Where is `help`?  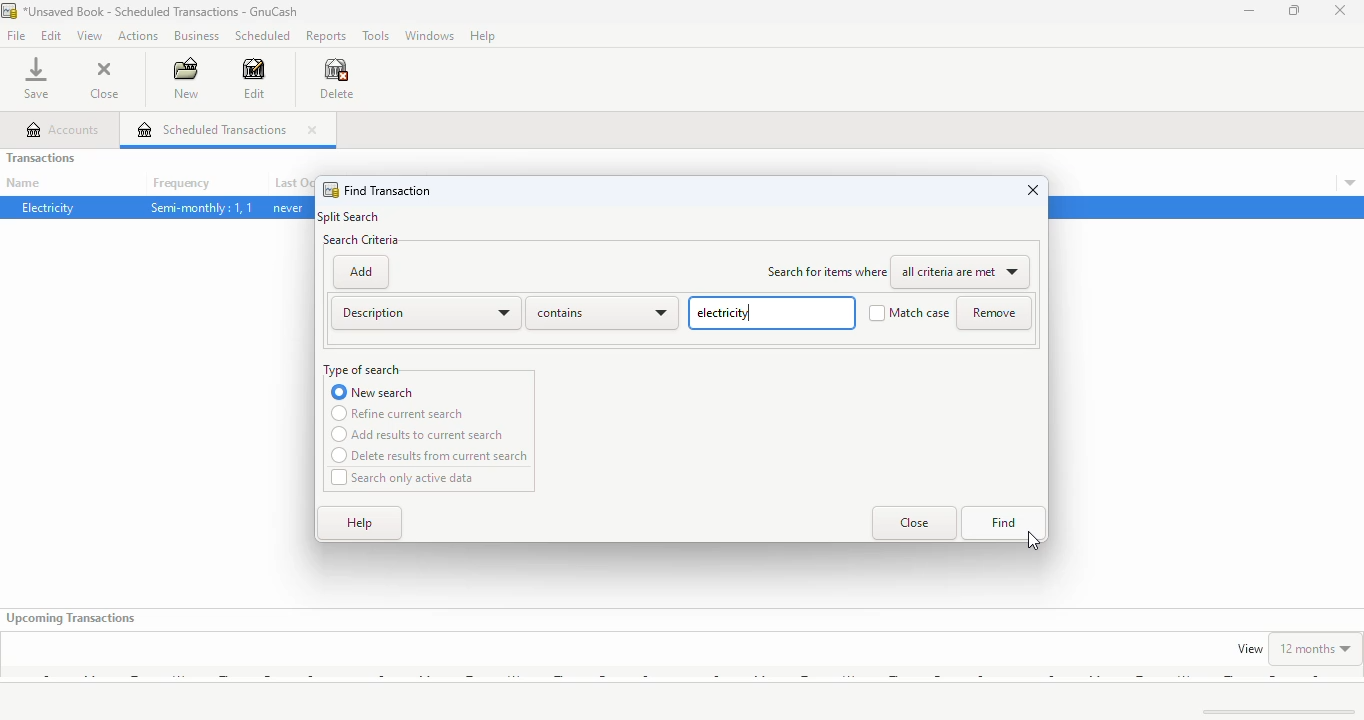
help is located at coordinates (483, 36).